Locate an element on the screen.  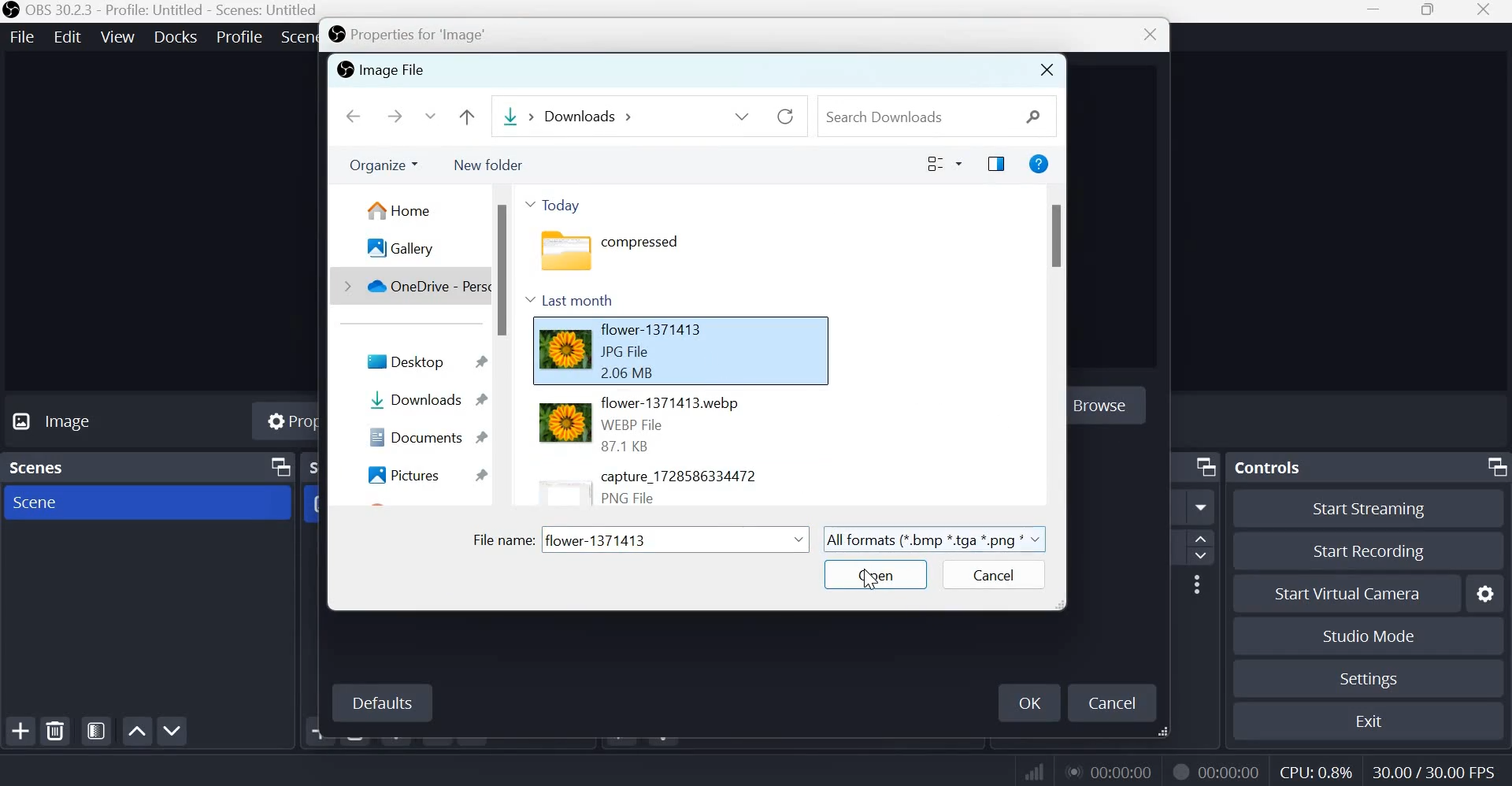
Remove selected scene is located at coordinates (58, 731).